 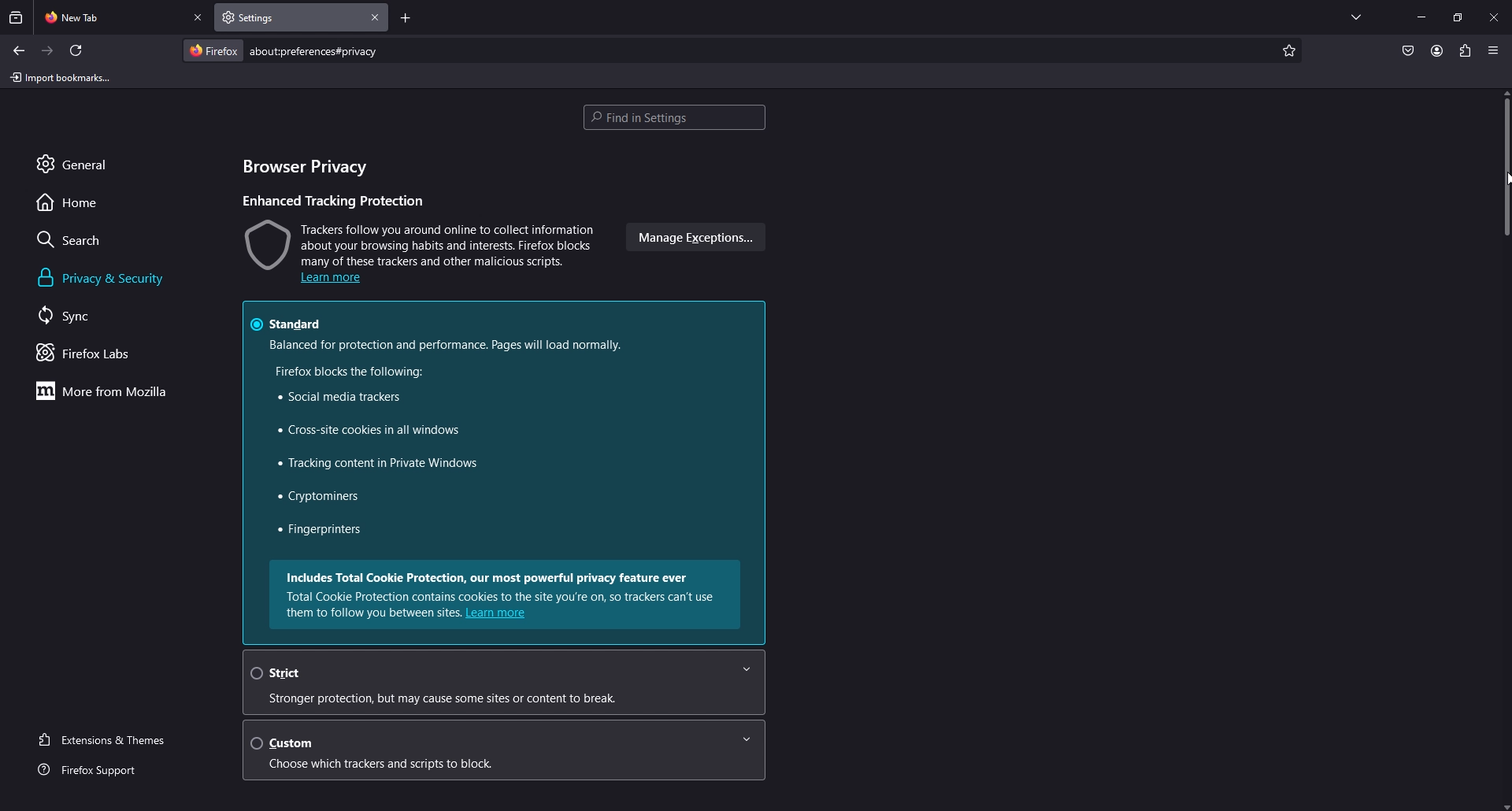 What do you see at coordinates (509, 742) in the screenshot?
I see ` Custom` at bounding box center [509, 742].